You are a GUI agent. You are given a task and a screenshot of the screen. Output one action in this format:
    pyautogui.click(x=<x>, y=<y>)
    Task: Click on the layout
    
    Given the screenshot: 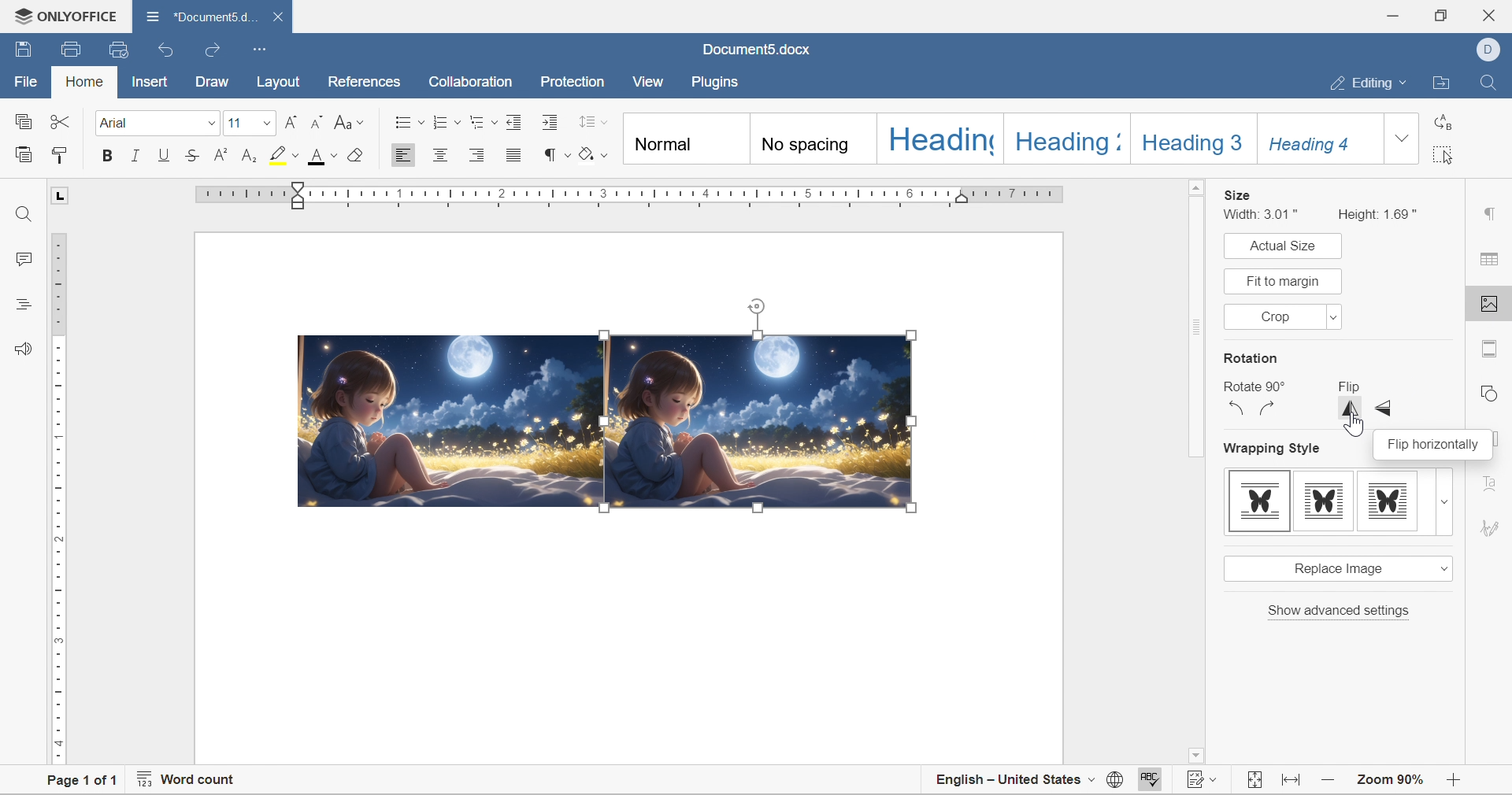 What is the action you would take?
    pyautogui.click(x=279, y=82)
    